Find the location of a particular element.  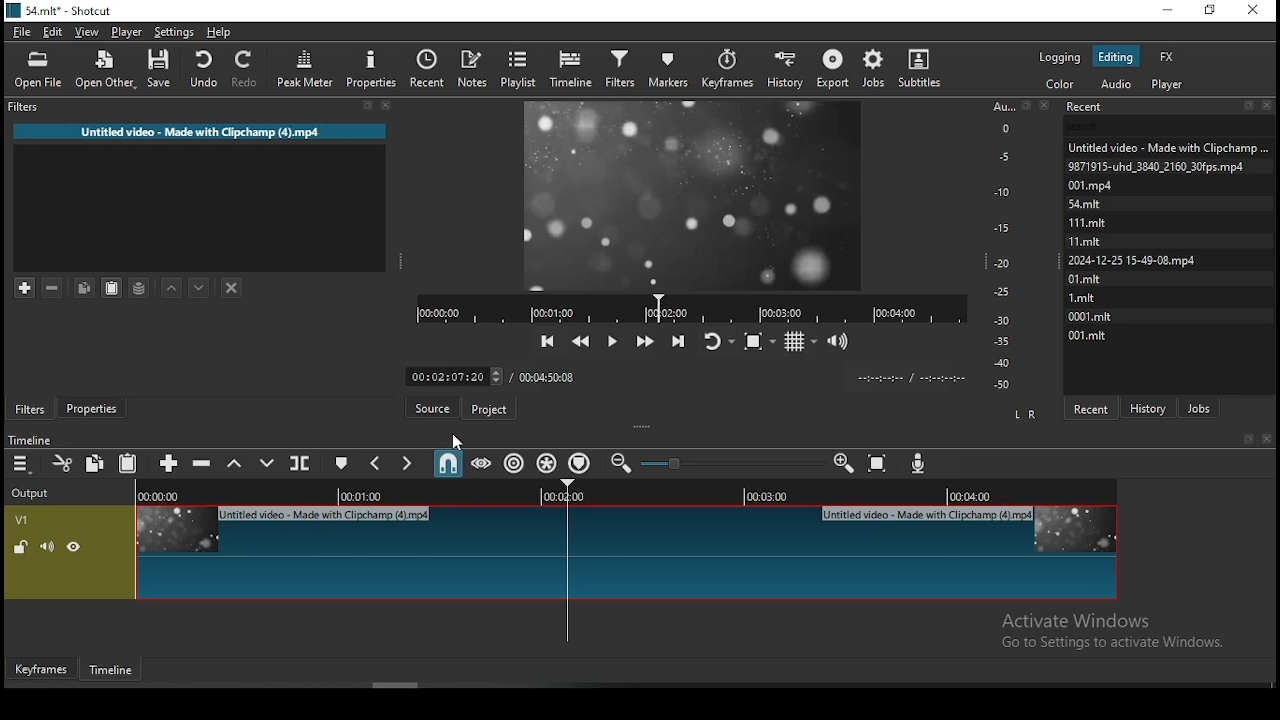

Untied video - Made with Clipcham9871915-uhd_3640_2160_30fps.mp4001mStmitmitmit| 2024-12-25 15-49-08.mp4OlmitLmit0001.mitotmit is located at coordinates (1170, 236).